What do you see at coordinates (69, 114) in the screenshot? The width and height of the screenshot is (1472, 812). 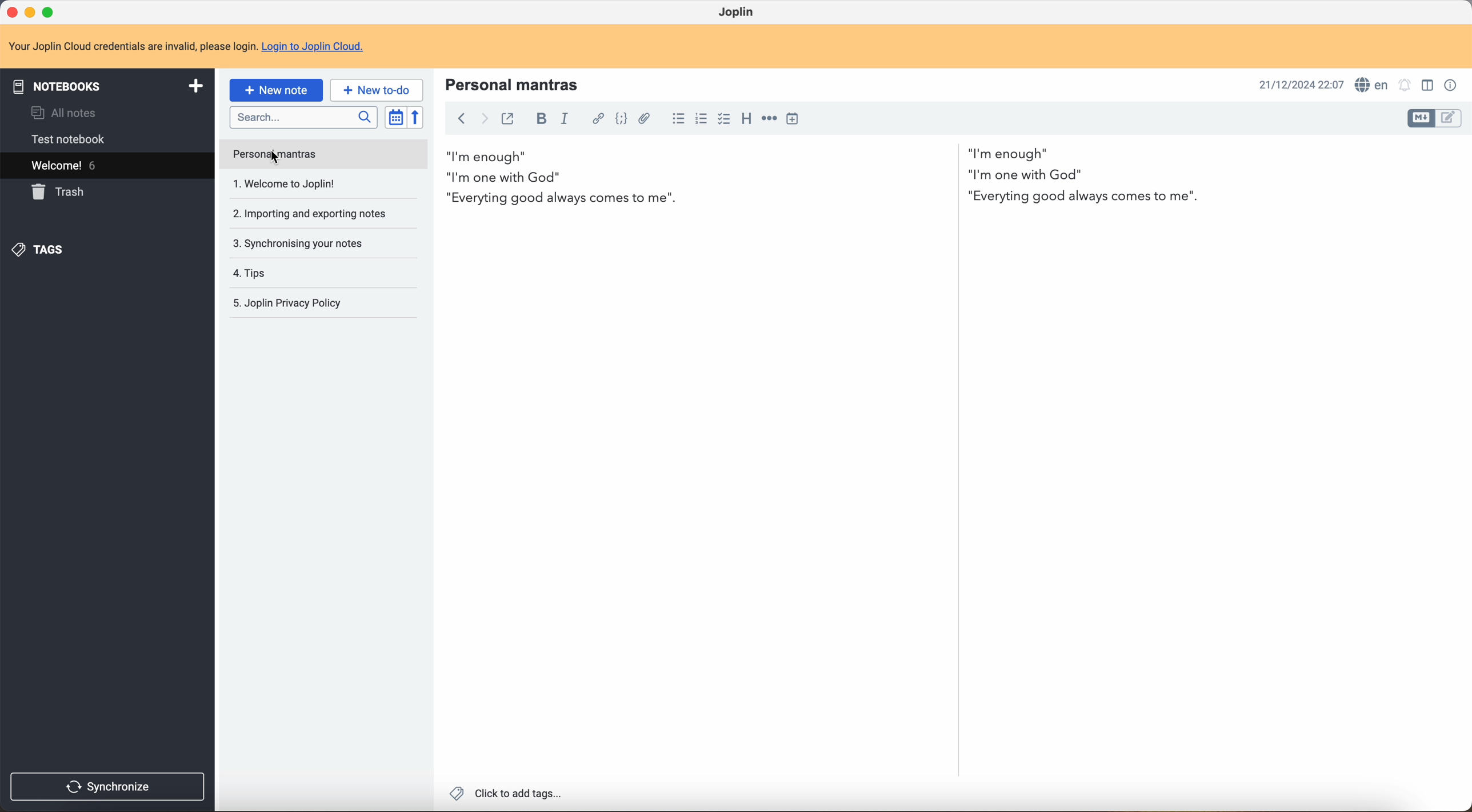 I see `all notes` at bounding box center [69, 114].